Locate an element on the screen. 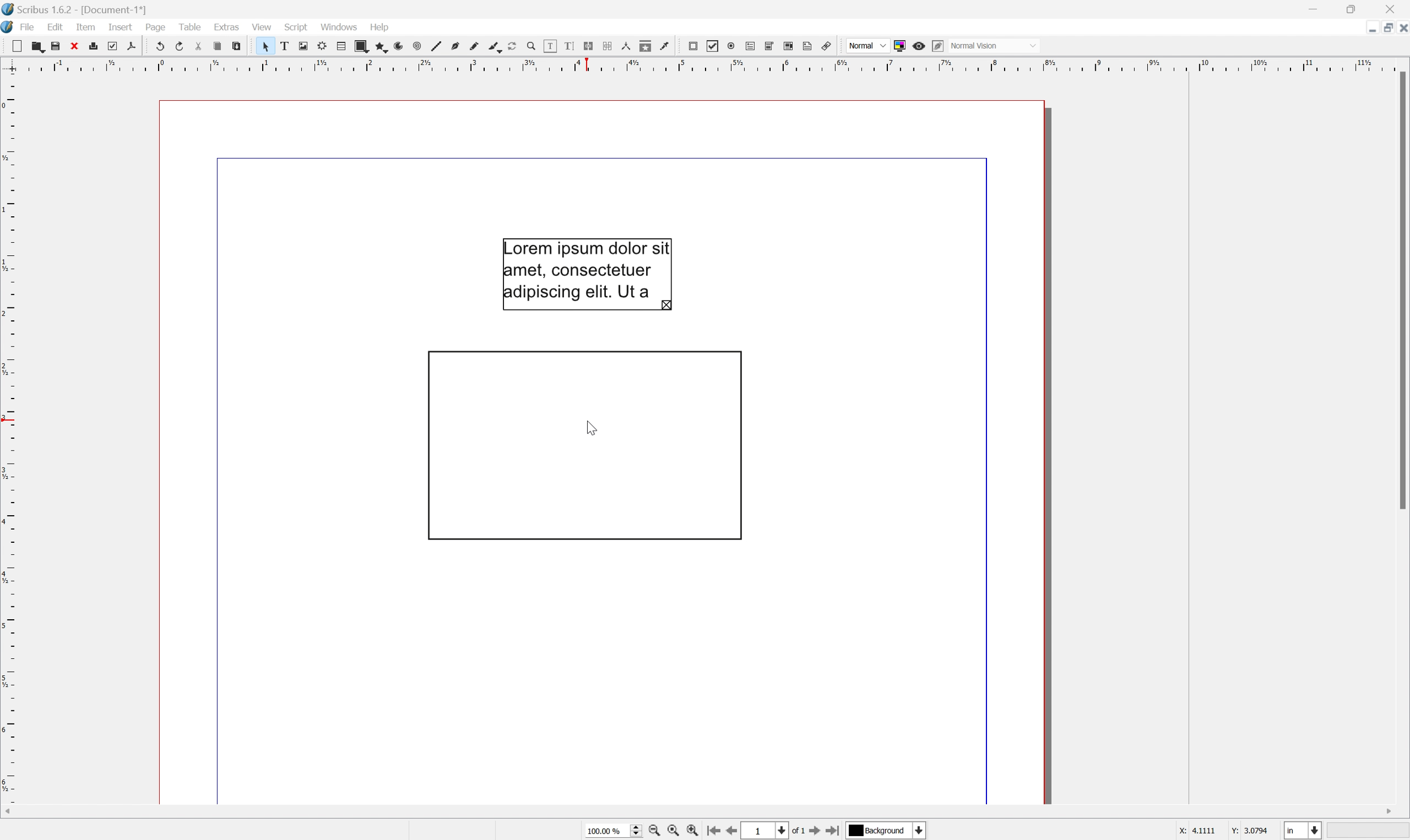  Normal is located at coordinates (866, 44).